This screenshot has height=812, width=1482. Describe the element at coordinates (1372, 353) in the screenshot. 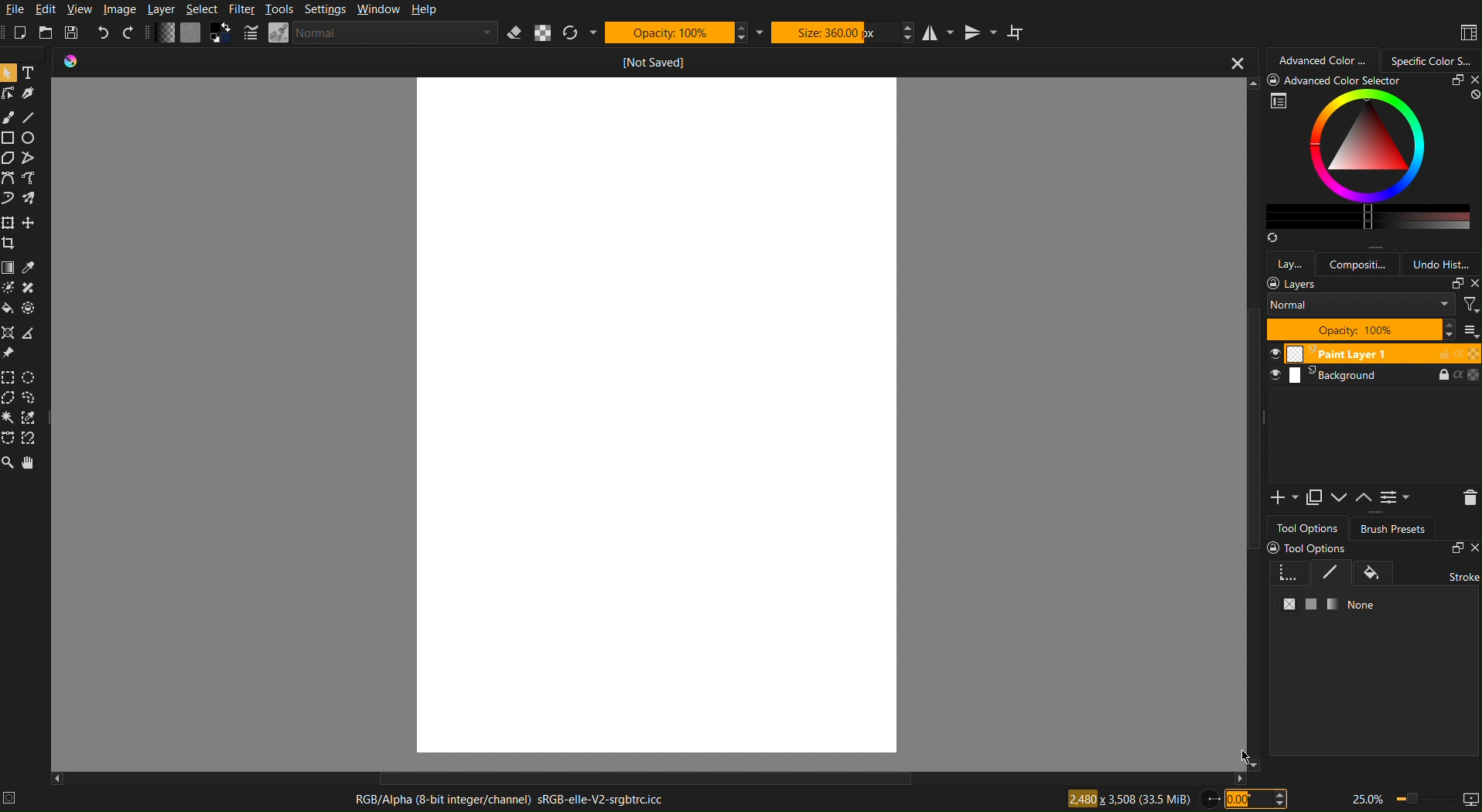

I see `Layer 1` at that location.